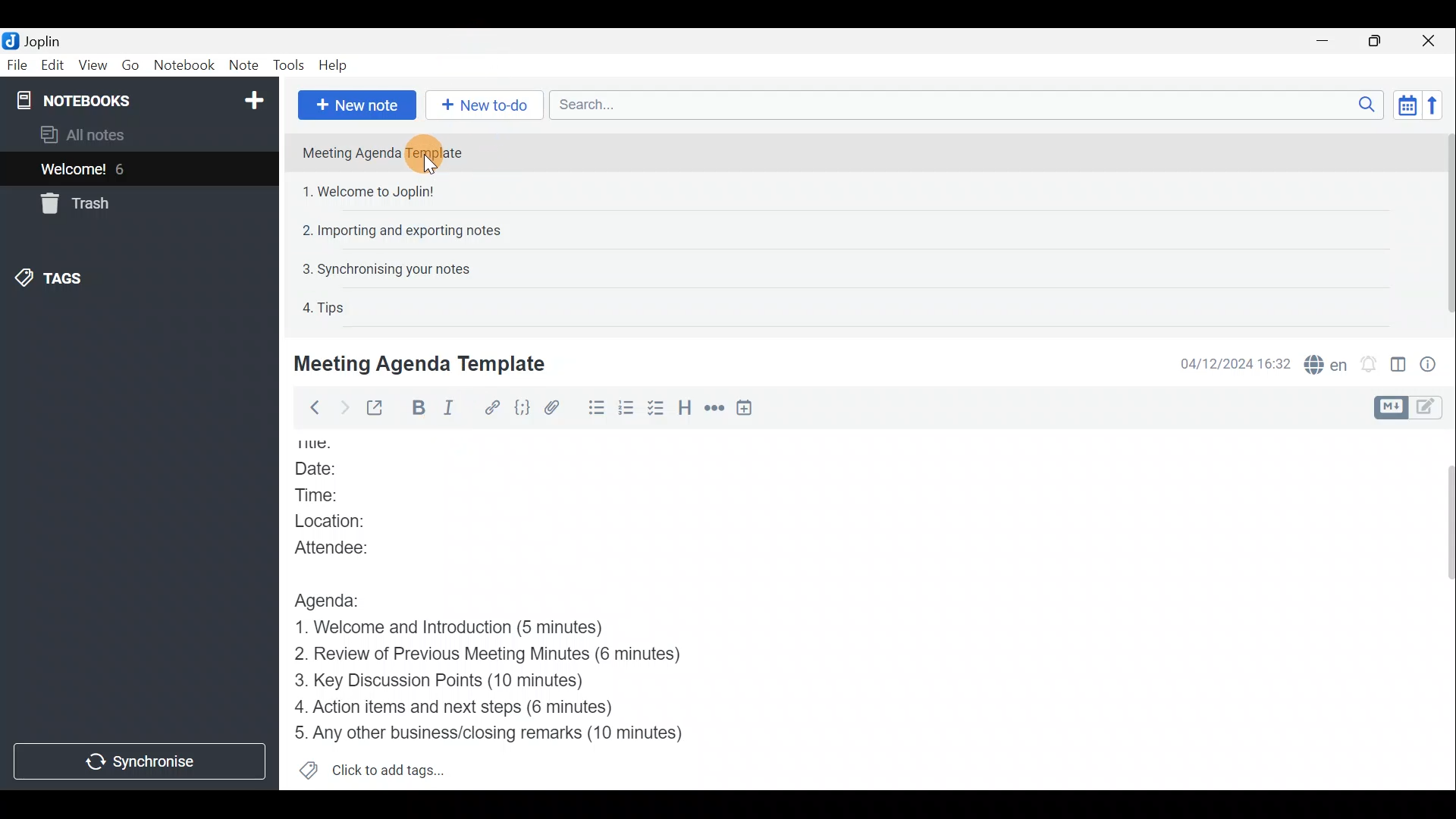 This screenshot has height=819, width=1456. I want to click on Bold, so click(417, 408).